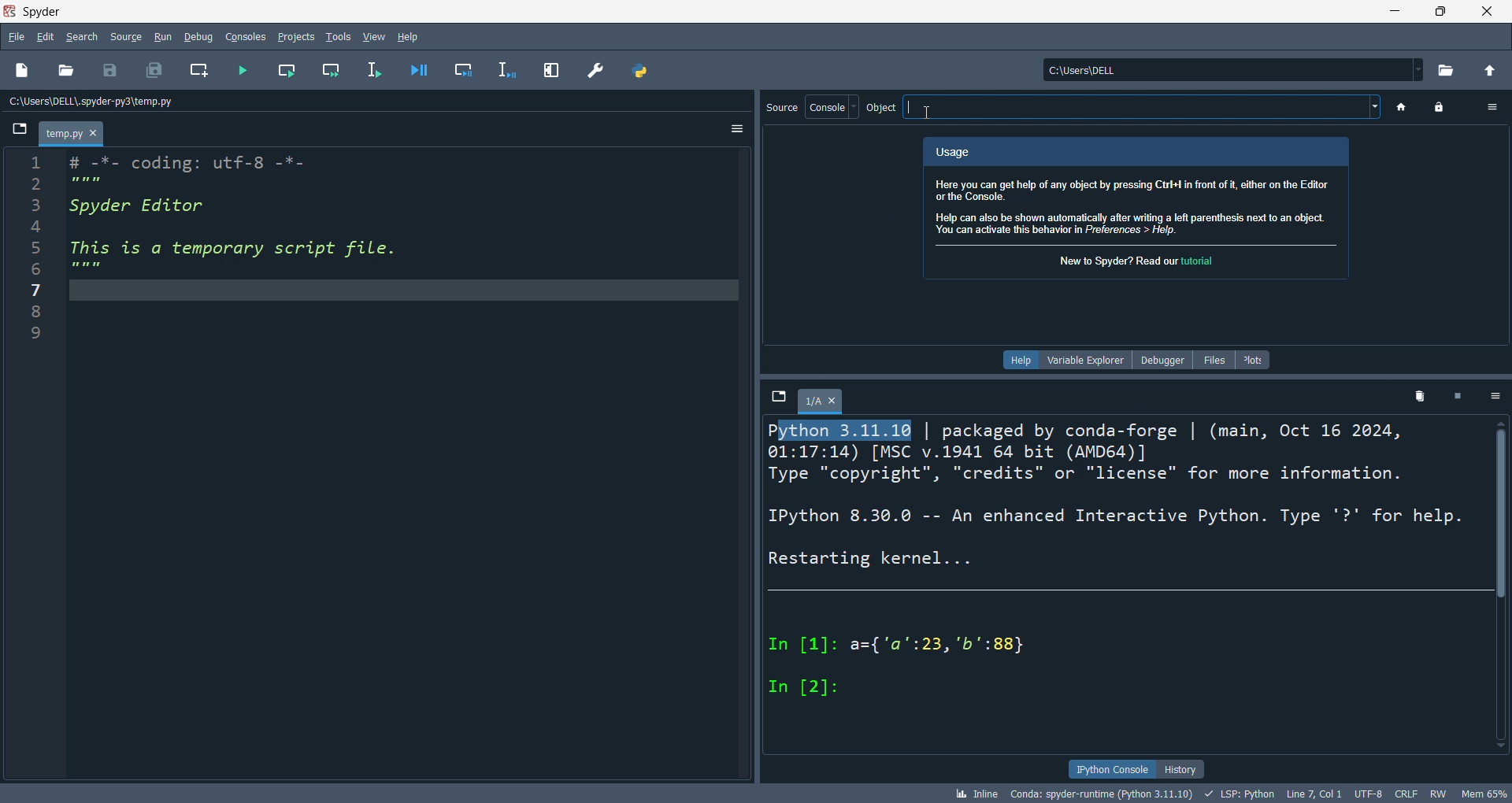  Describe the element at coordinates (735, 128) in the screenshot. I see `options` at that location.